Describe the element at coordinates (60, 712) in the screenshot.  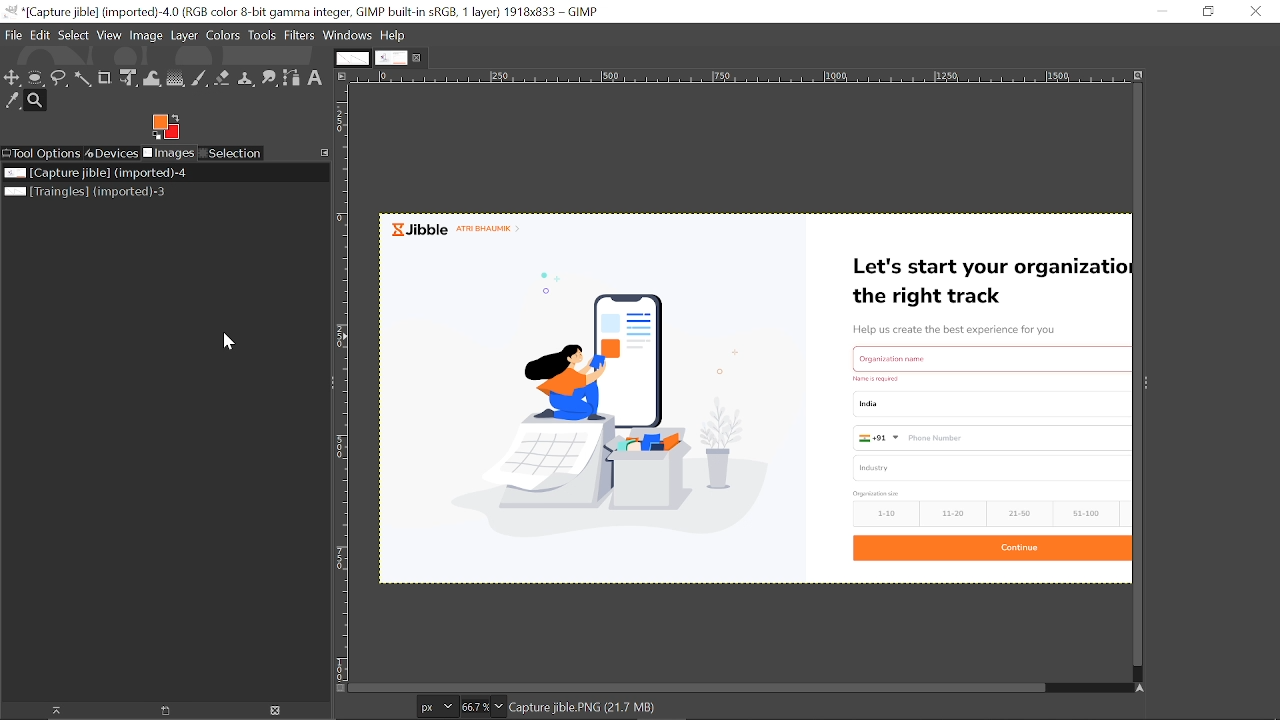
I see `Raise this image's display` at that location.